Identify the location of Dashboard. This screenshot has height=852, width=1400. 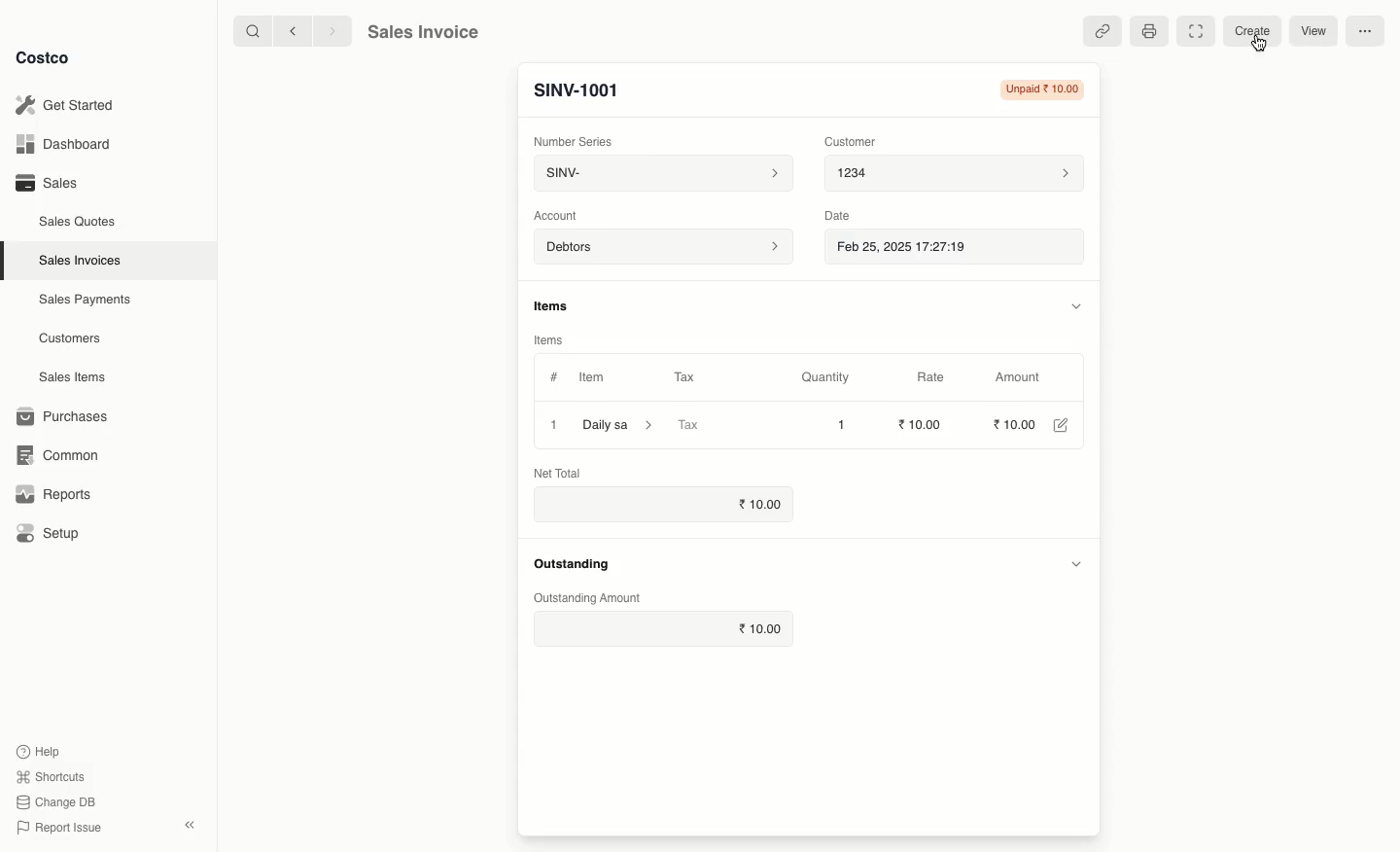
(68, 142).